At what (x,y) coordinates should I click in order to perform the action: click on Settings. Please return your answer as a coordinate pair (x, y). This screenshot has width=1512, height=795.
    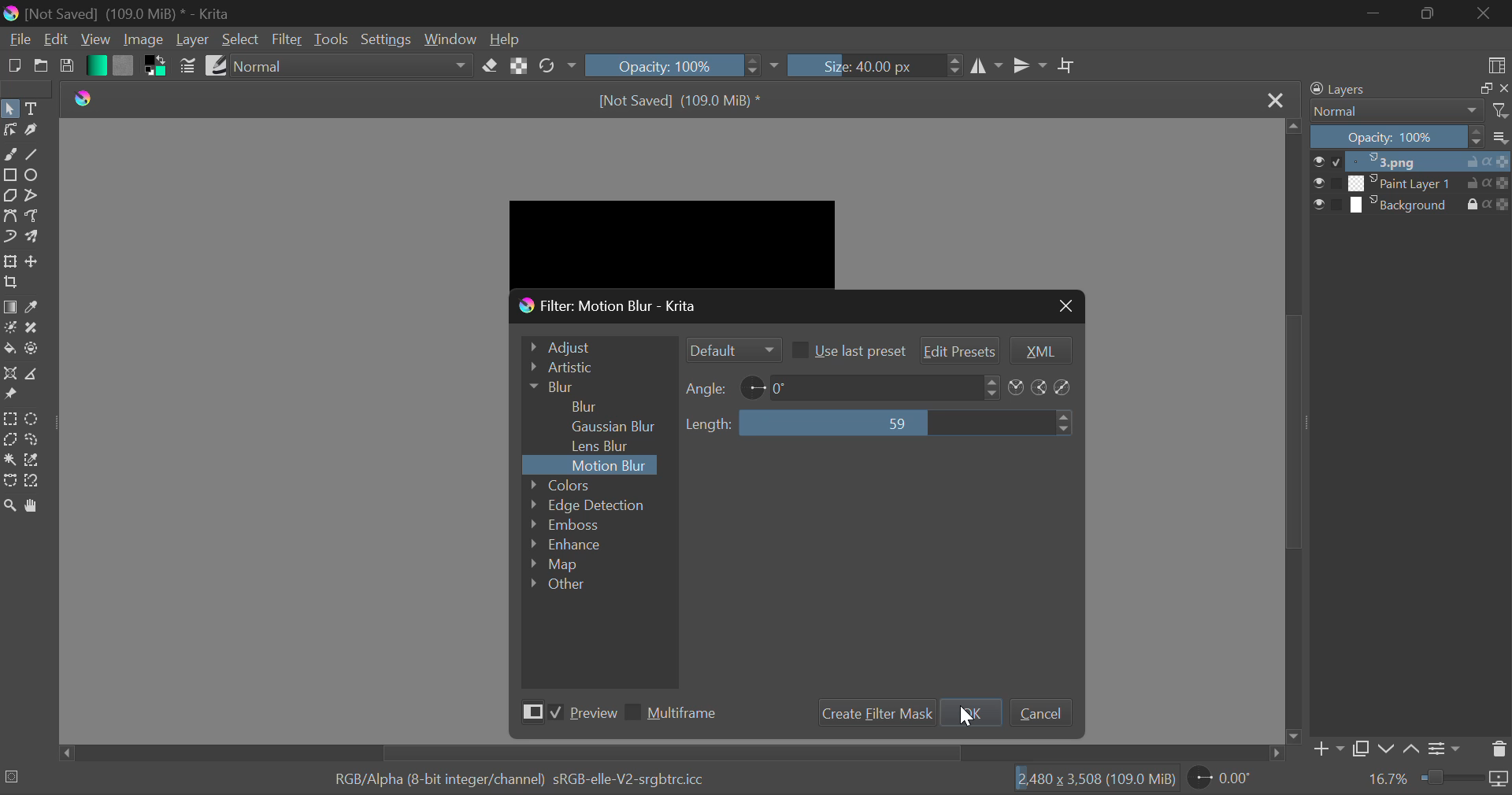
    Looking at the image, I should click on (1447, 747).